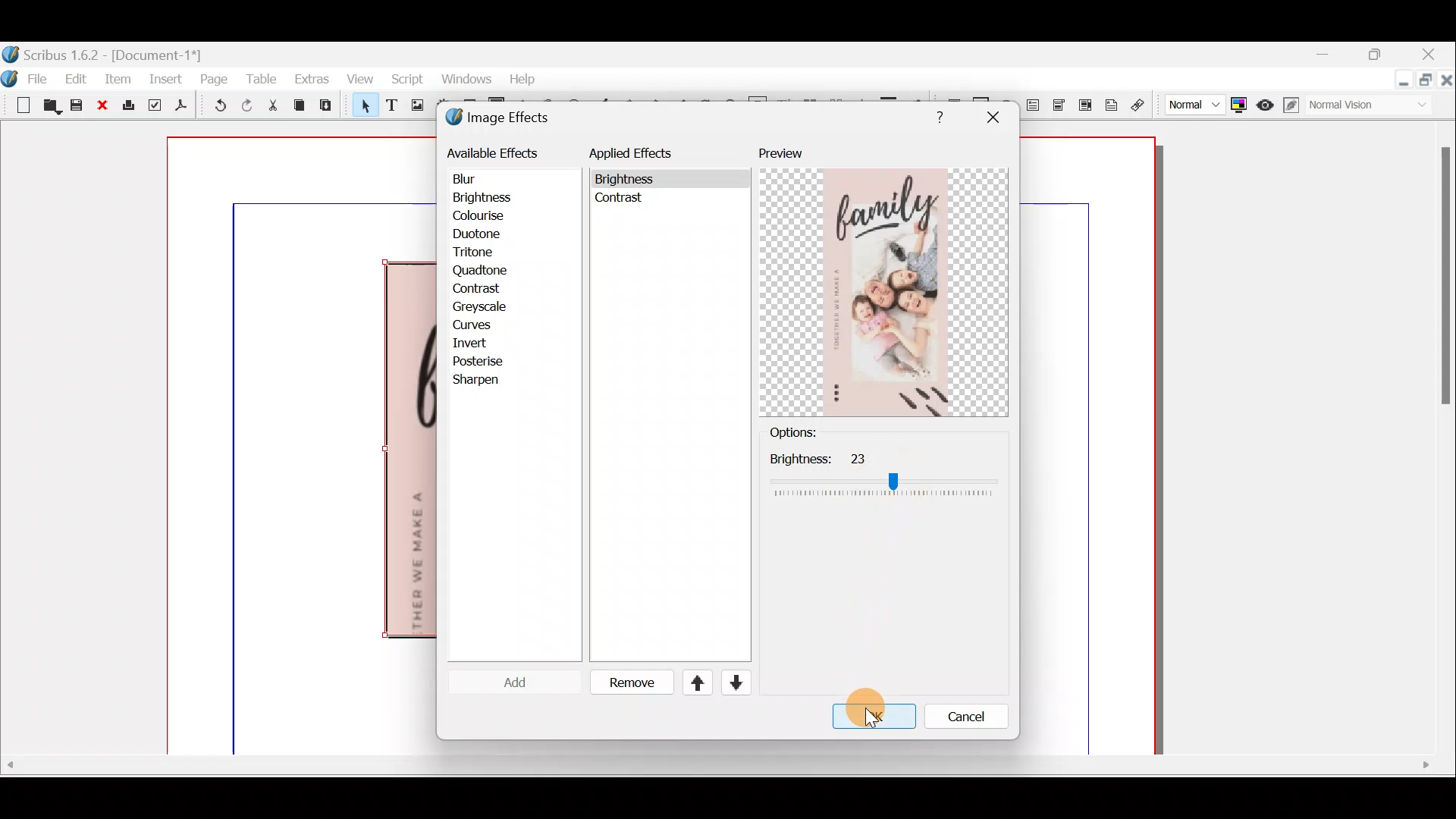 The height and width of the screenshot is (819, 1456). I want to click on Extras, so click(311, 78).